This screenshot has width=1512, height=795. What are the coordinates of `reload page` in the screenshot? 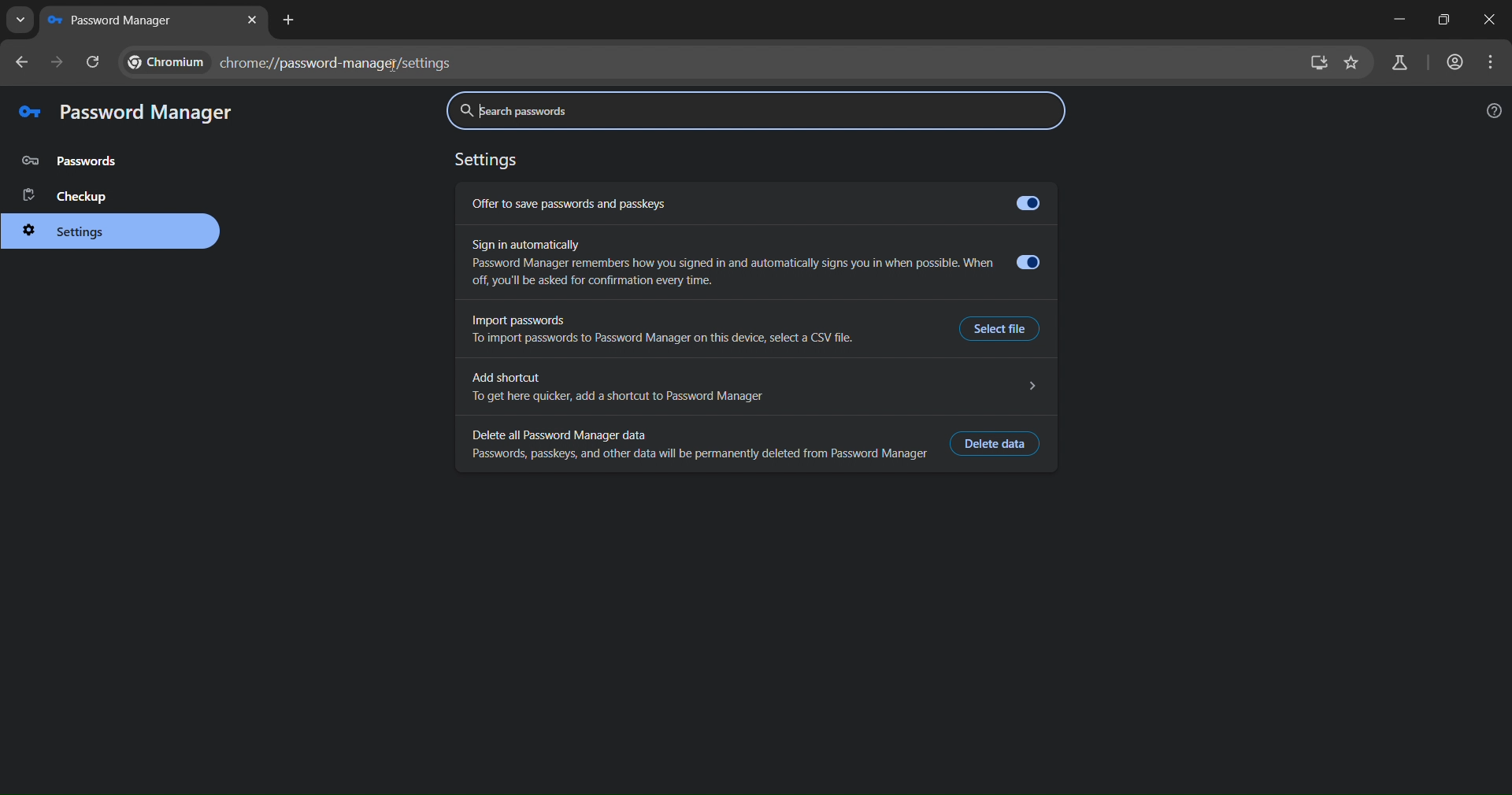 It's located at (93, 62).